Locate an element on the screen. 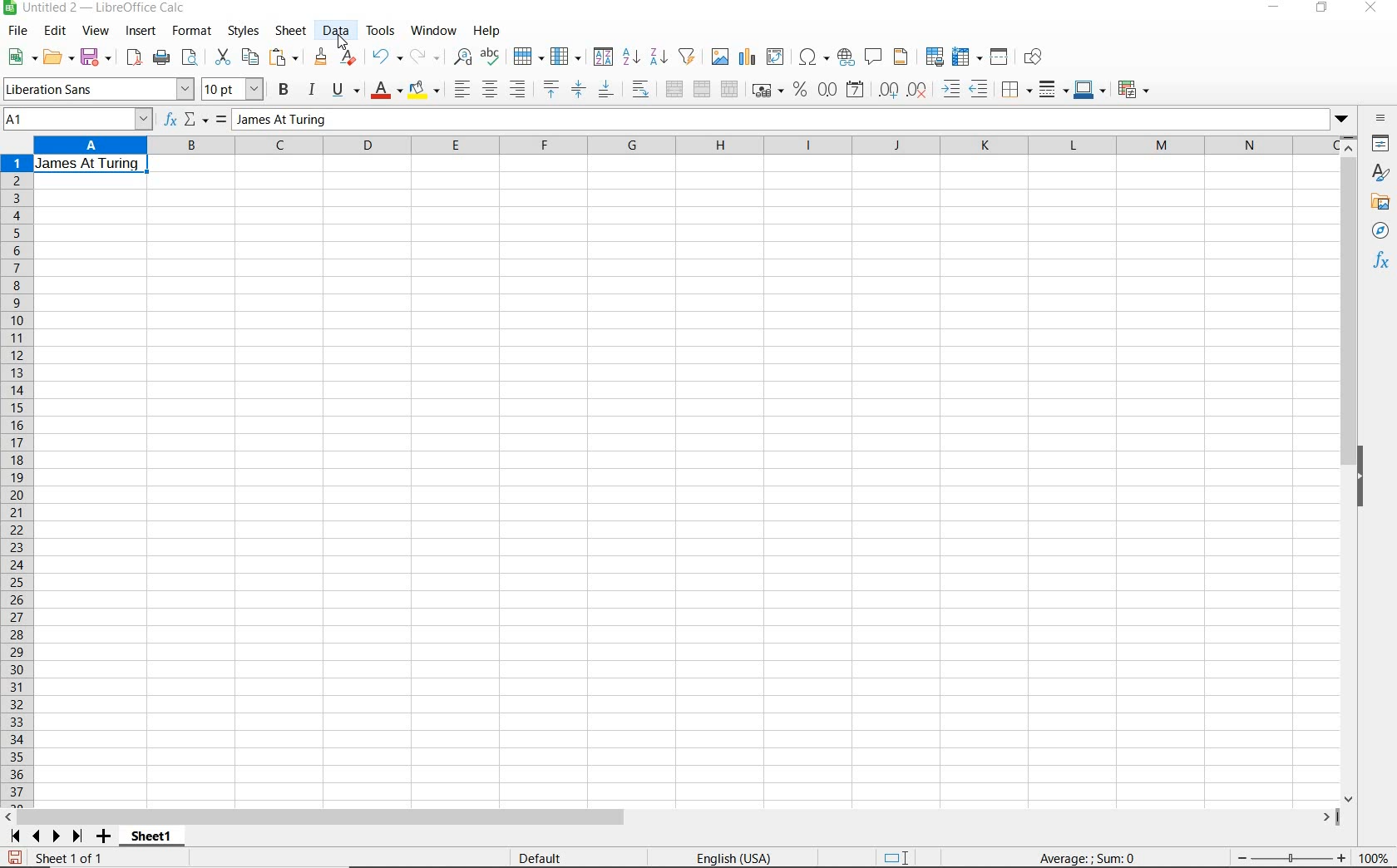 The height and width of the screenshot is (868, 1397). text language is located at coordinates (729, 859).